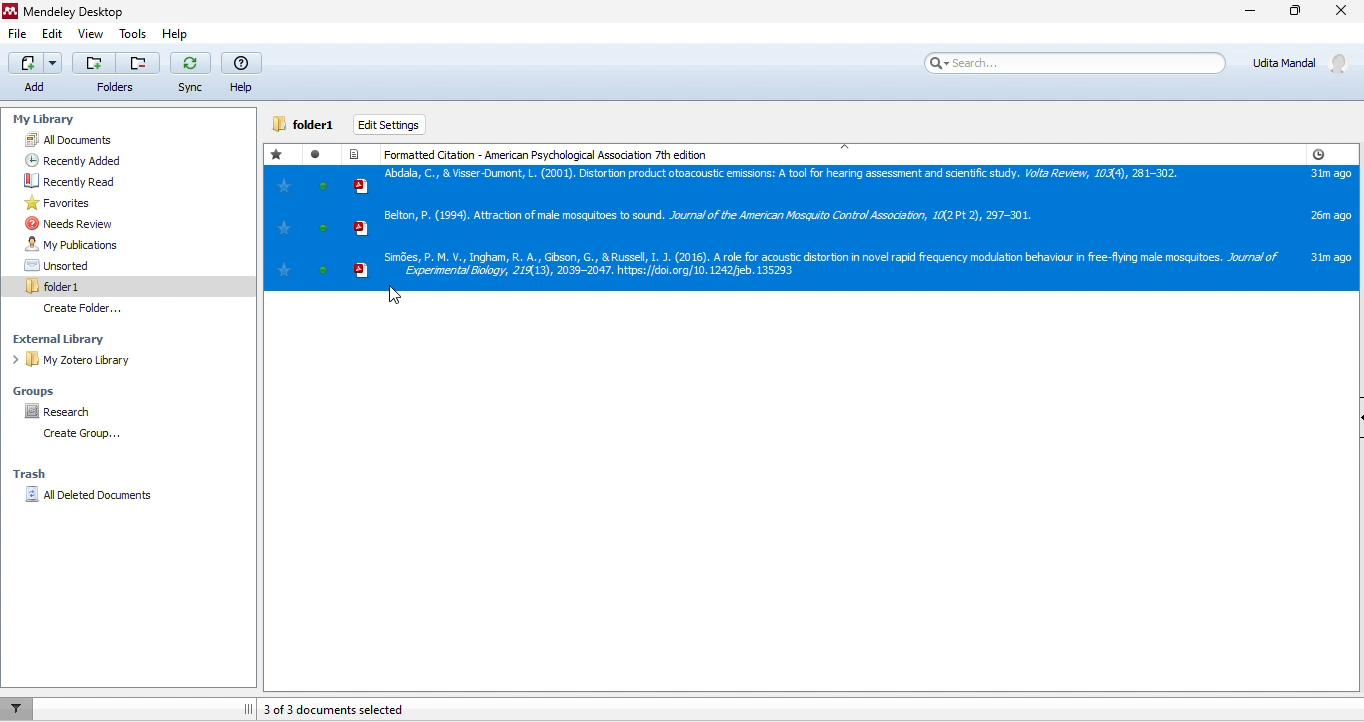  What do you see at coordinates (320, 153) in the screenshot?
I see `read / unread` at bounding box center [320, 153].